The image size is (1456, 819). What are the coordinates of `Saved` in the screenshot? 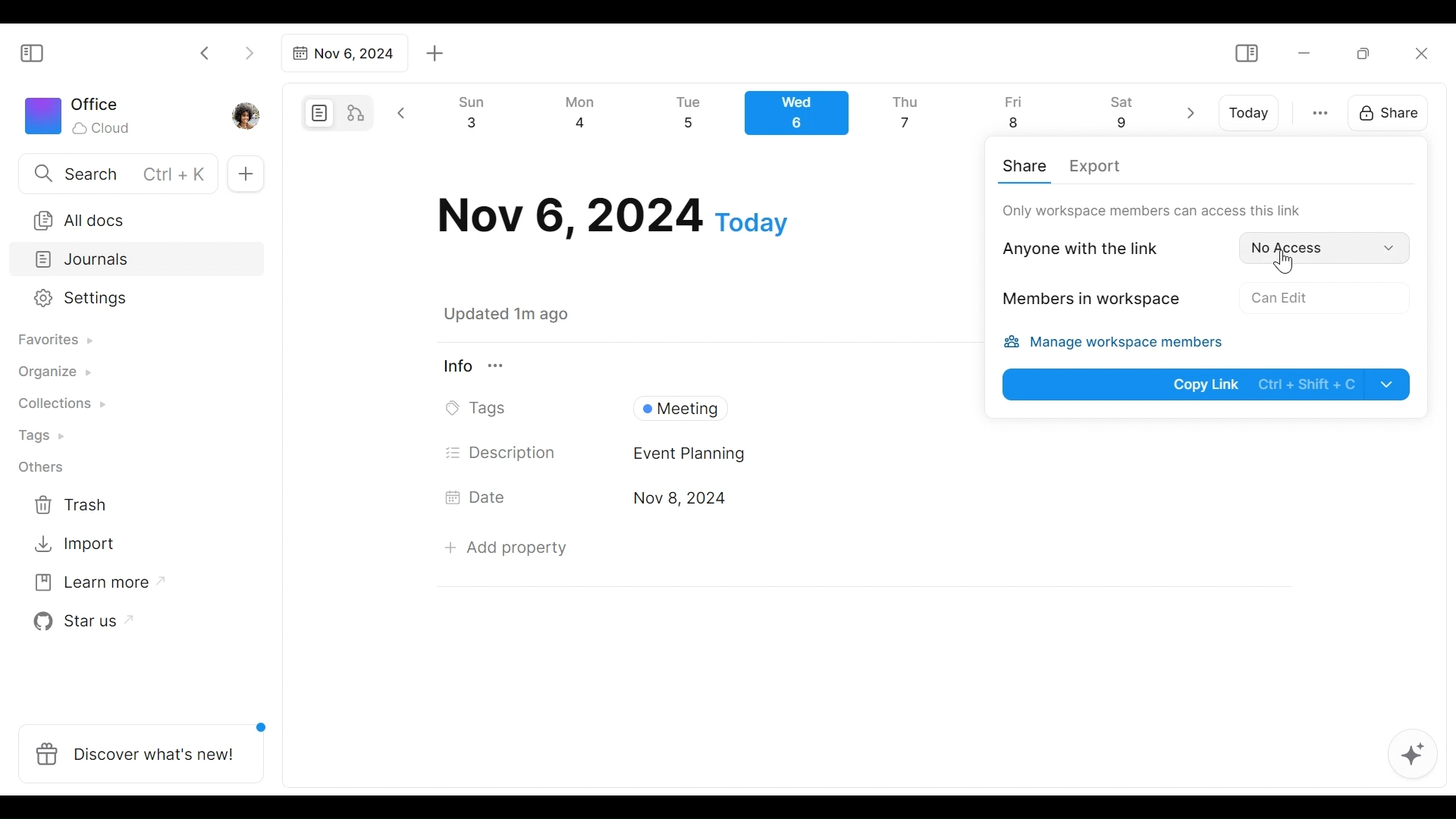 It's located at (525, 314).